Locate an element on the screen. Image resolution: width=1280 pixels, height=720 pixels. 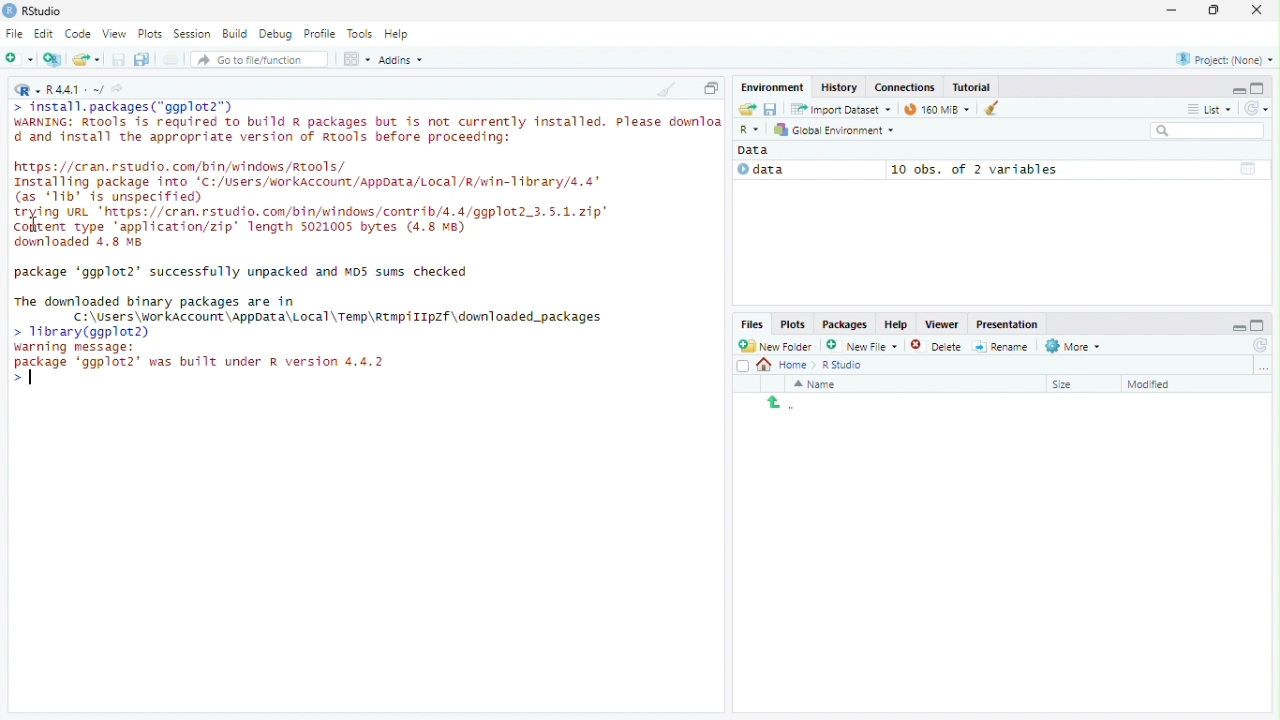
Create new file is located at coordinates (862, 345).